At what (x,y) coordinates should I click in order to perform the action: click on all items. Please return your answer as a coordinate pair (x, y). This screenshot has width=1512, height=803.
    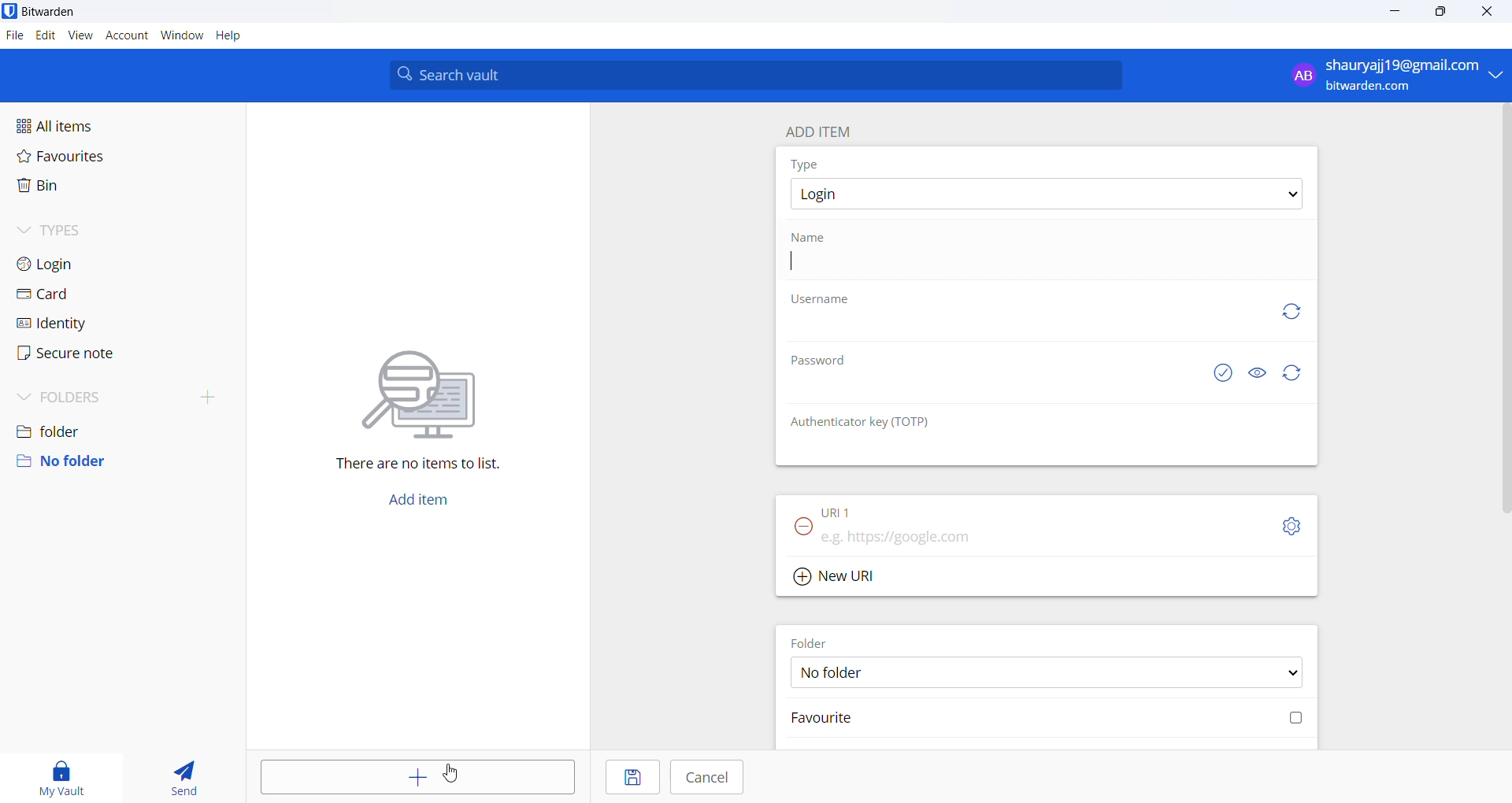
    Looking at the image, I should click on (91, 123).